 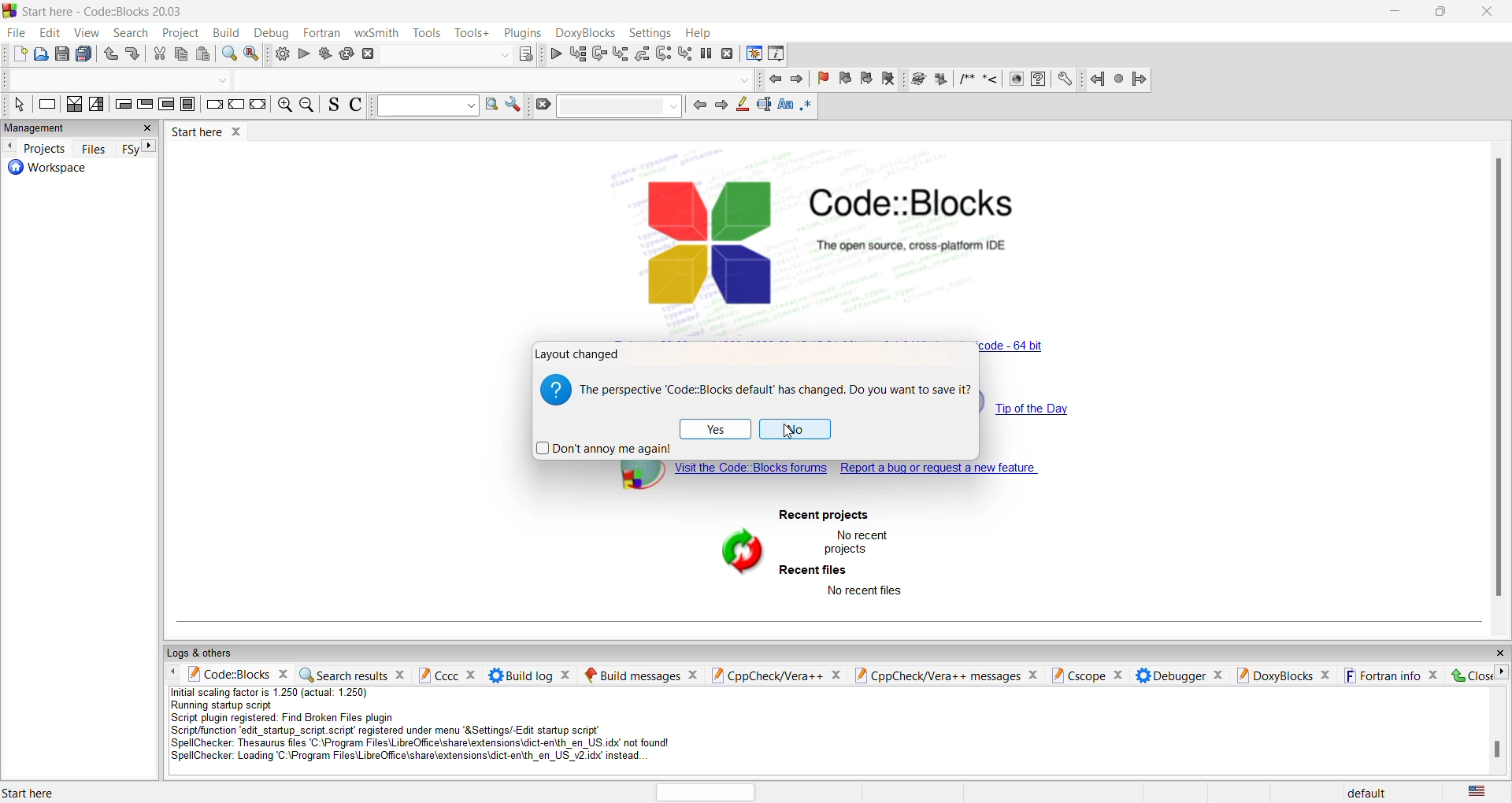 What do you see at coordinates (63, 54) in the screenshot?
I see `save` at bounding box center [63, 54].